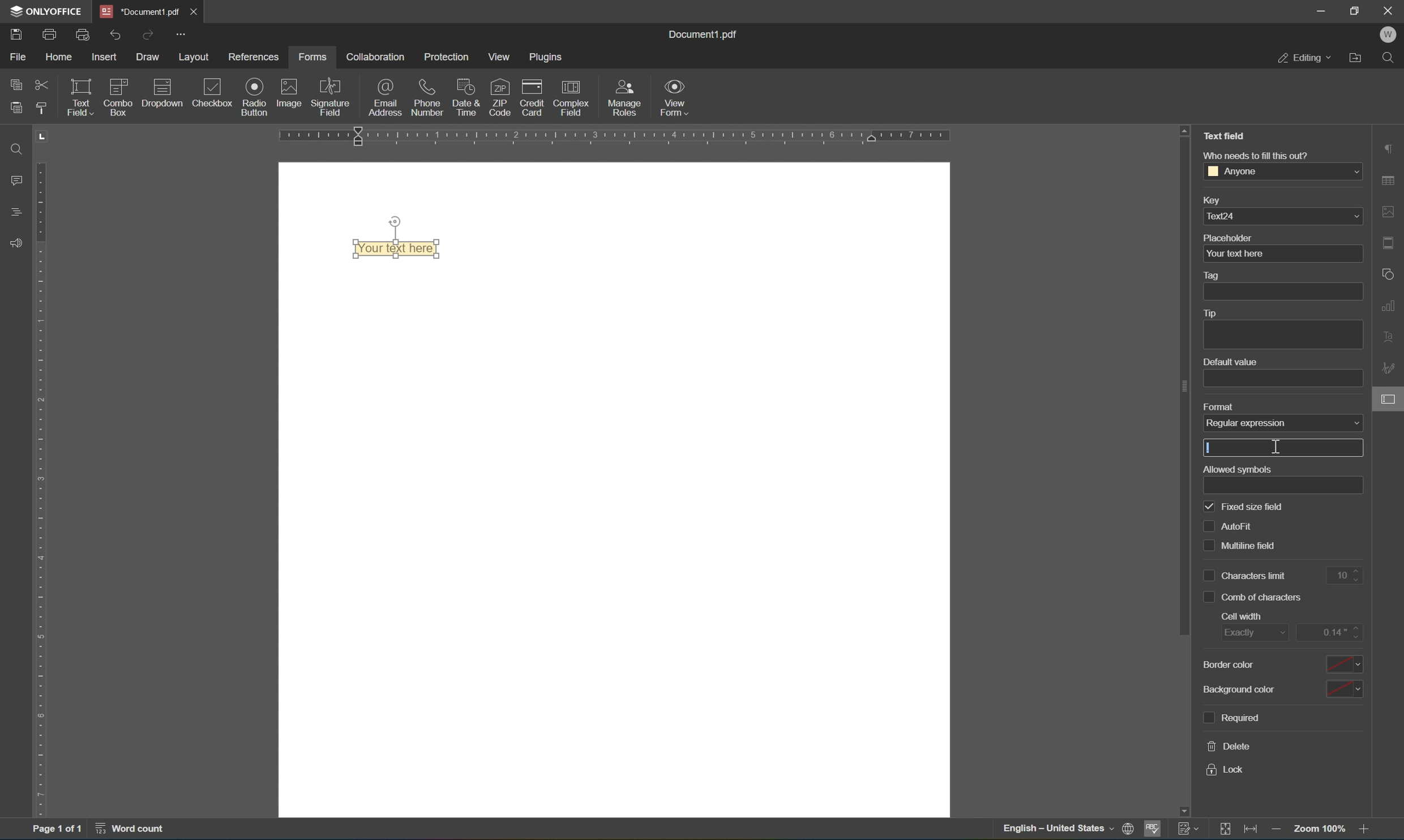  I want to click on file, so click(18, 56).